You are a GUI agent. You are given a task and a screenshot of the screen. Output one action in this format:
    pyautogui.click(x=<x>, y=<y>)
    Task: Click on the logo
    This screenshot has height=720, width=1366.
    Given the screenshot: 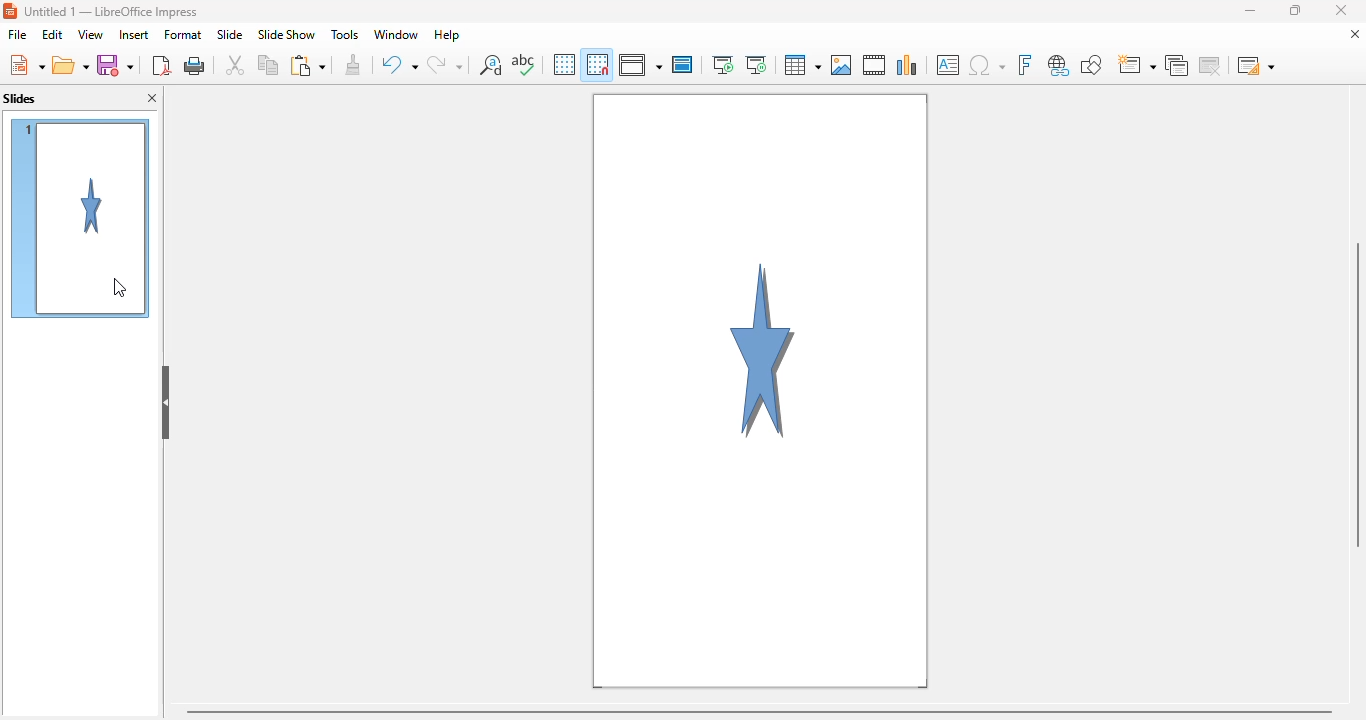 What is the action you would take?
    pyautogui.click(x=10, y=11)
    